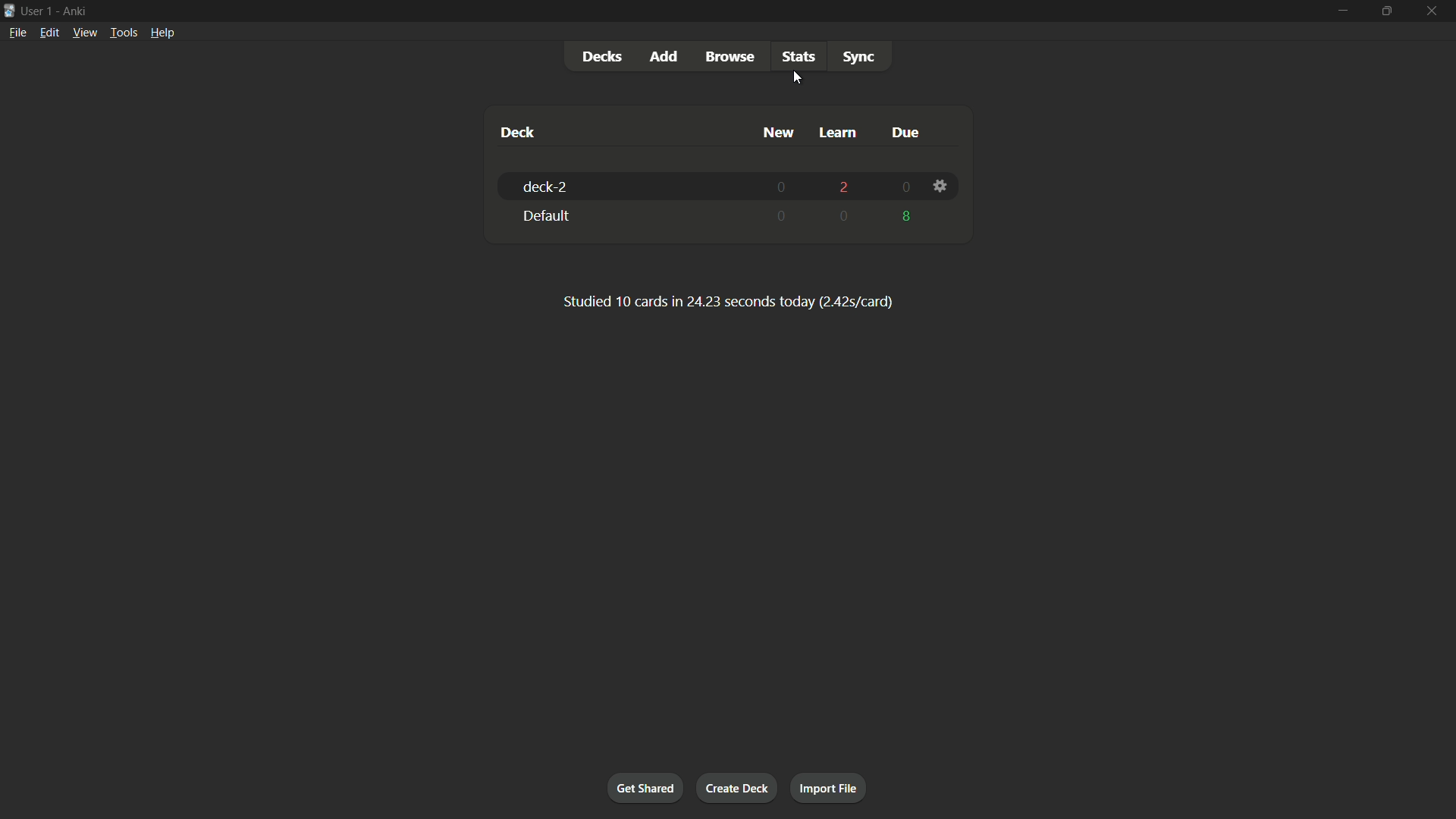 Image resolution: width=1456 pixels, height=819 pixels. Describe the element at coordinates (9, 11) in the screenshot. I see `Logo` at that location.